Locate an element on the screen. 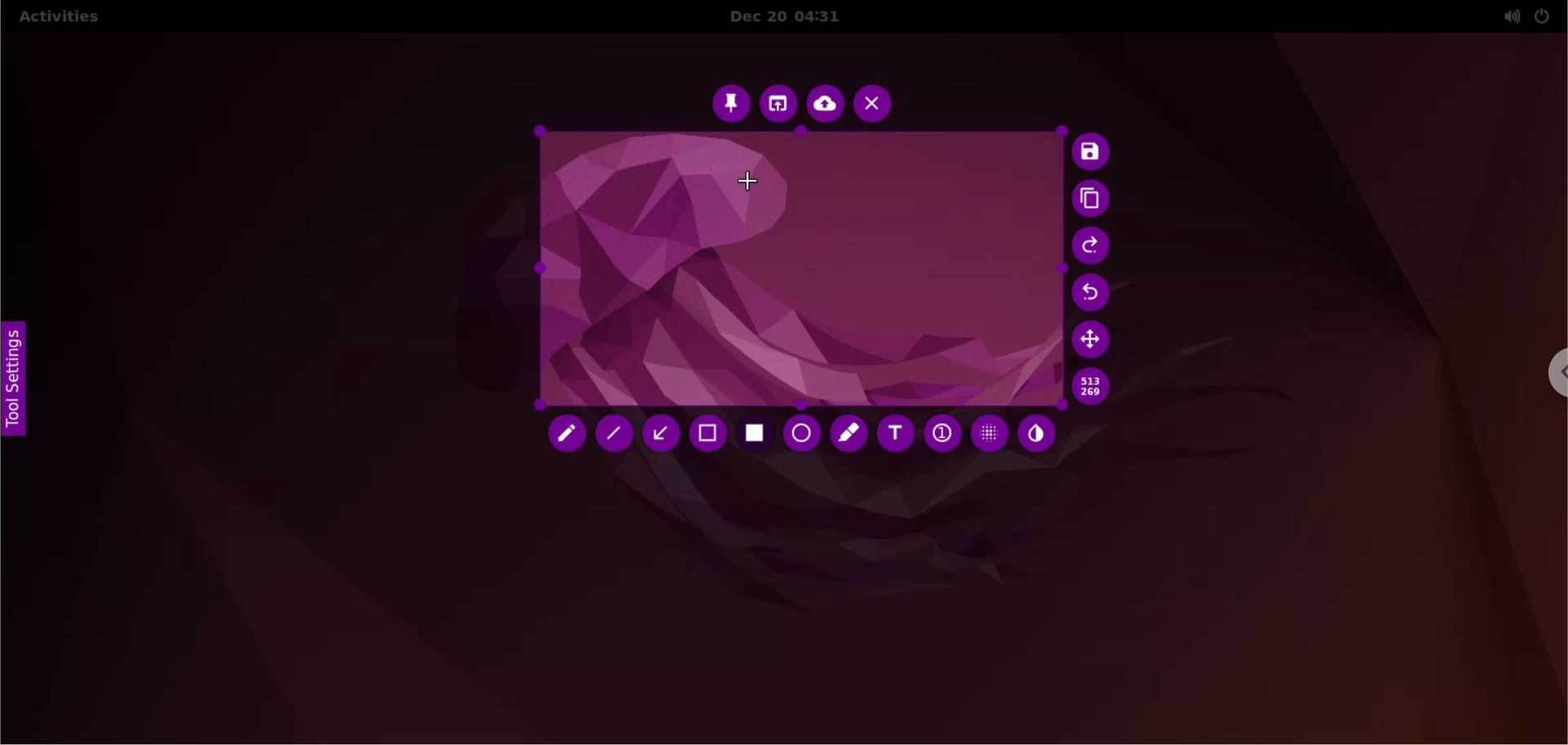 The image size is (1568, 745). activities is located at coordinates (65, 16).